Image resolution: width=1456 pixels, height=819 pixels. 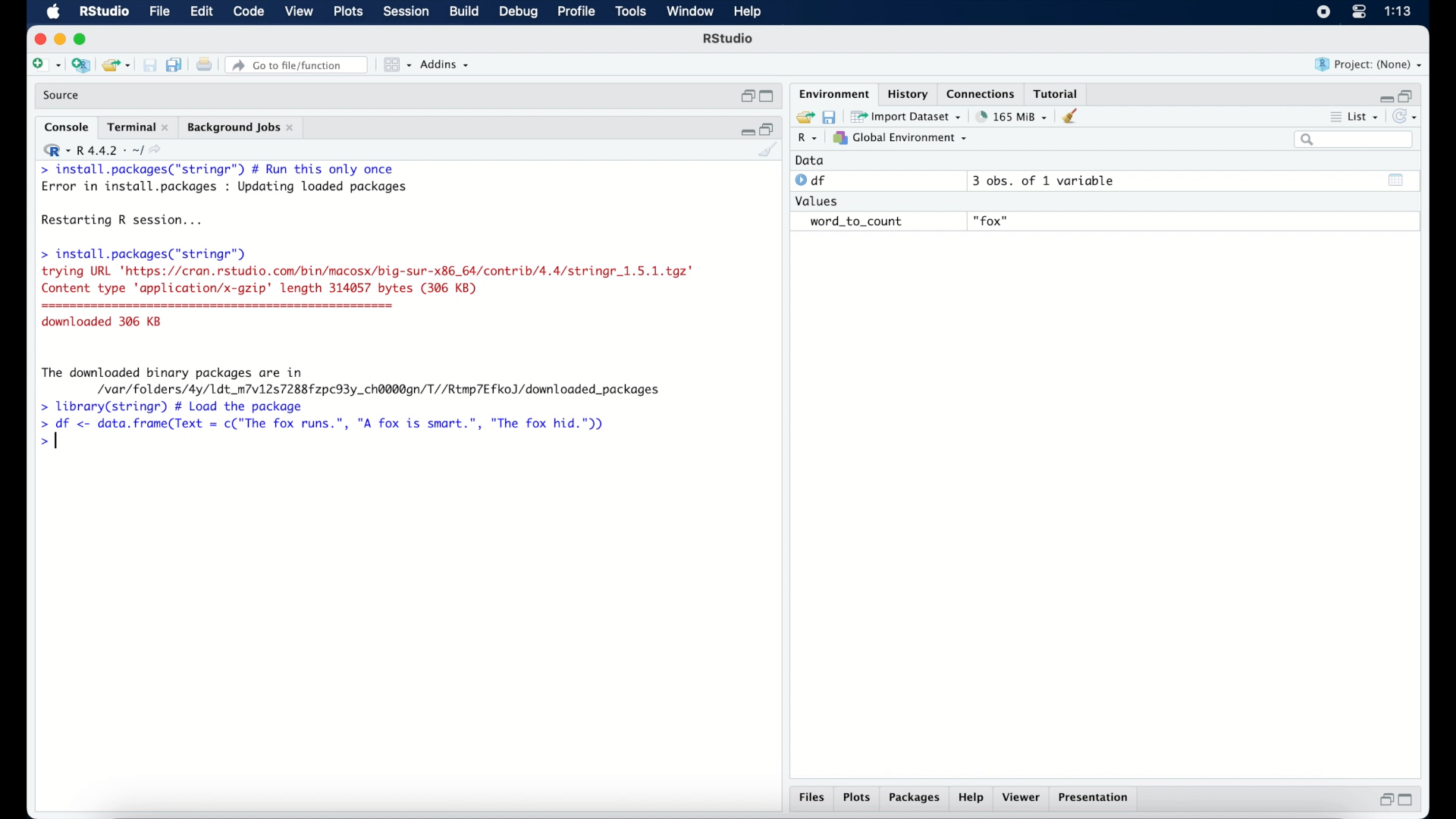 What do you see at coordinates (1397, 180) in the screenshot?
I see `show output window` at bounding box center [1397, 180].